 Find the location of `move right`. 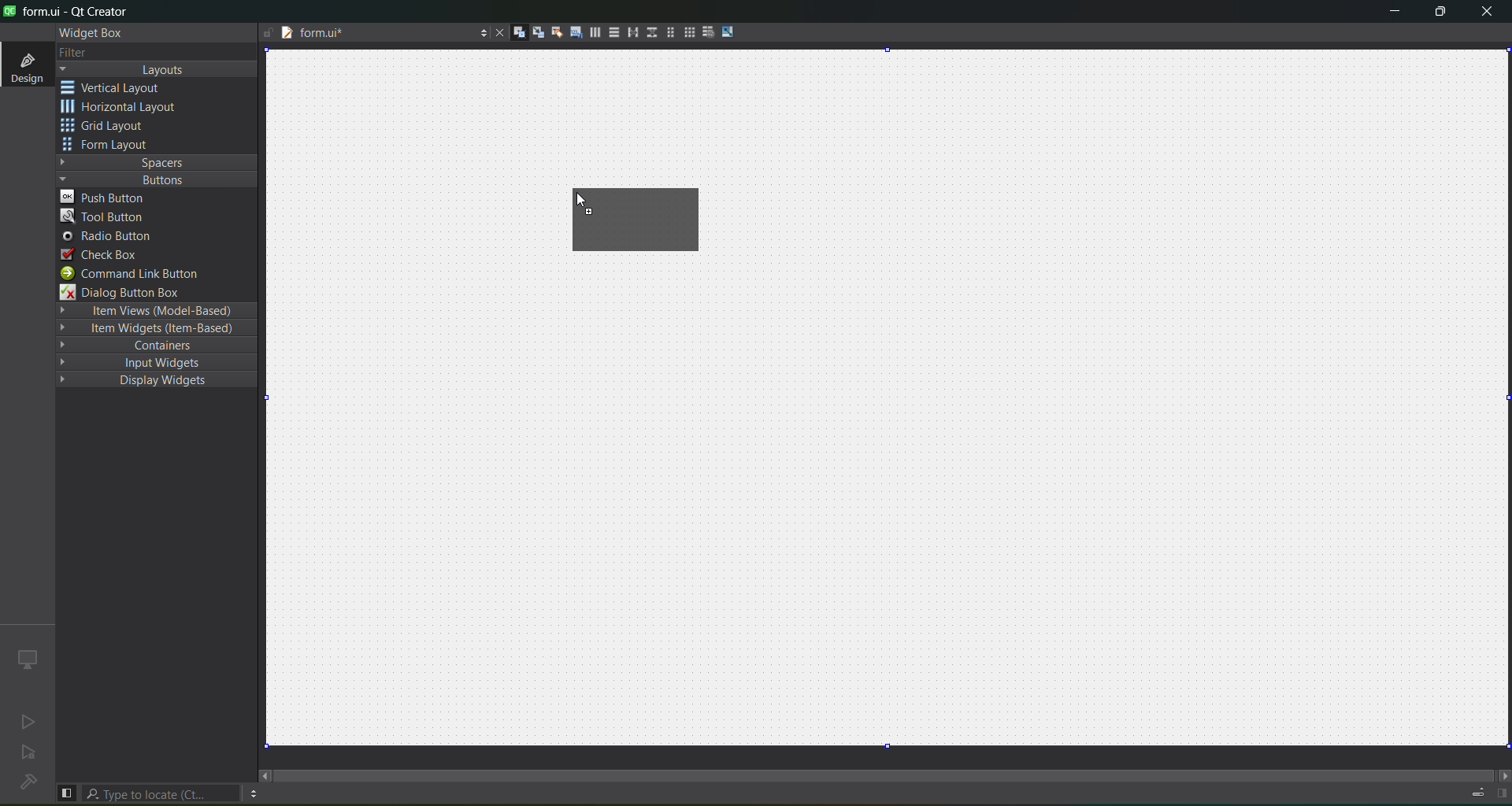

move right is located at coordinates (1501, 774).